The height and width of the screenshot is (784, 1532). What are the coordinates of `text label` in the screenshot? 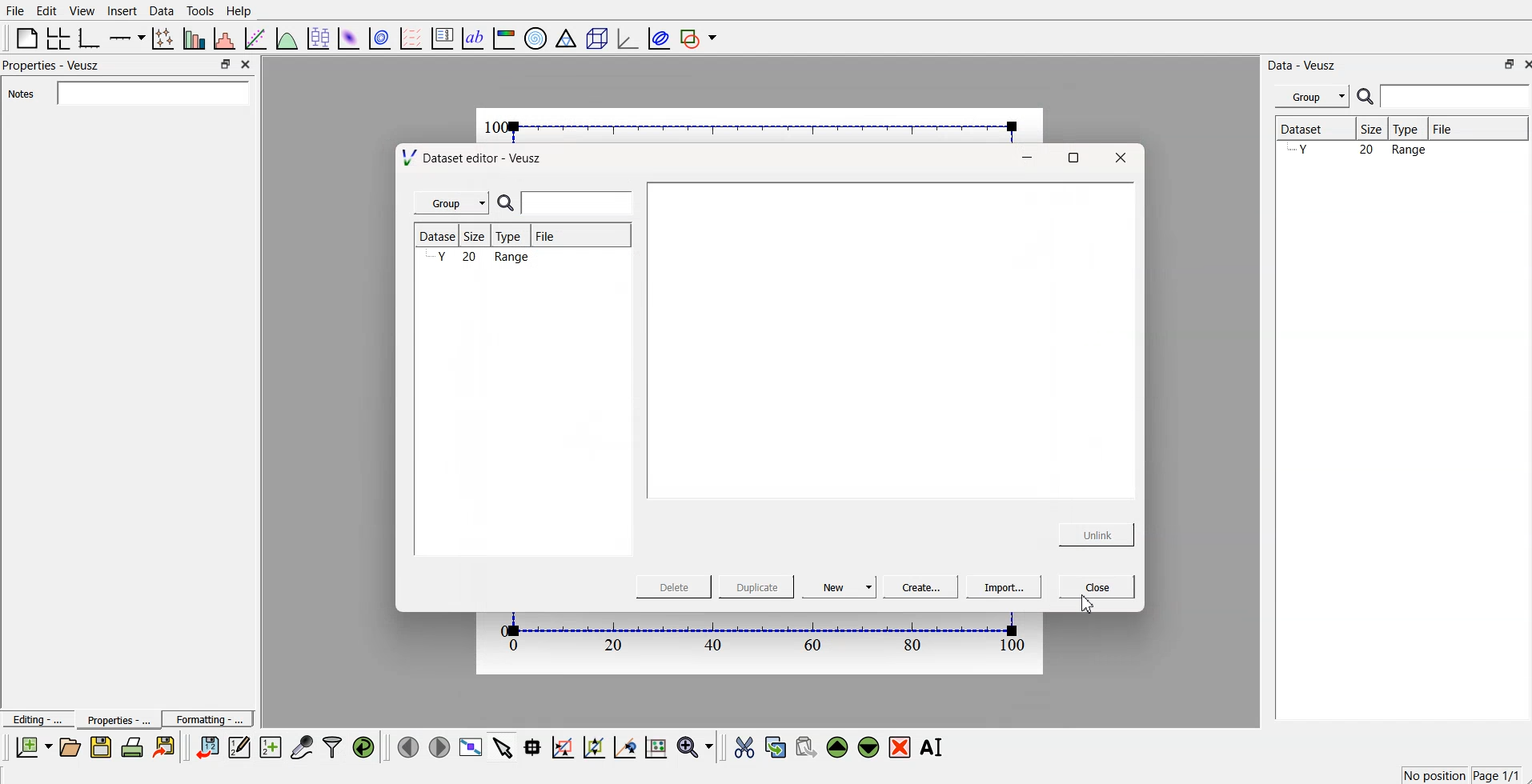 It's located at (473, 38).